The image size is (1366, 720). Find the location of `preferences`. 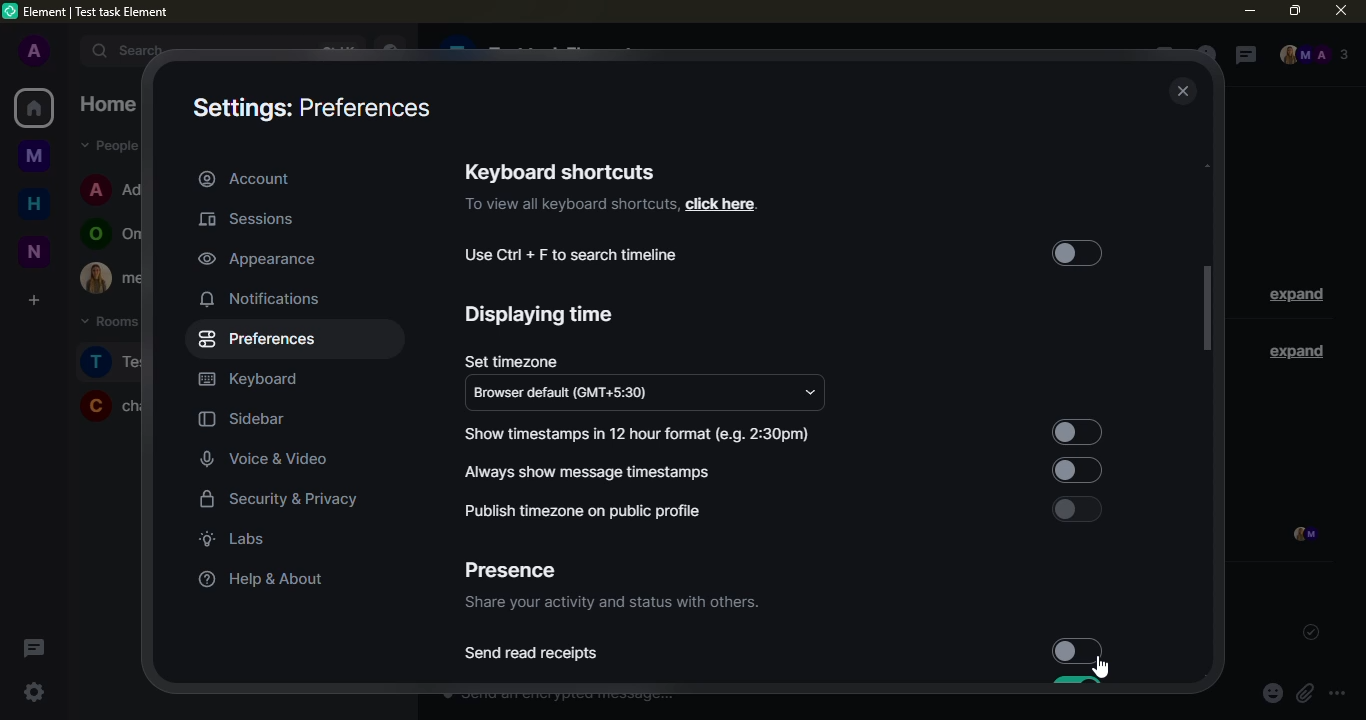

preferences is located at coordinates (261, 339).